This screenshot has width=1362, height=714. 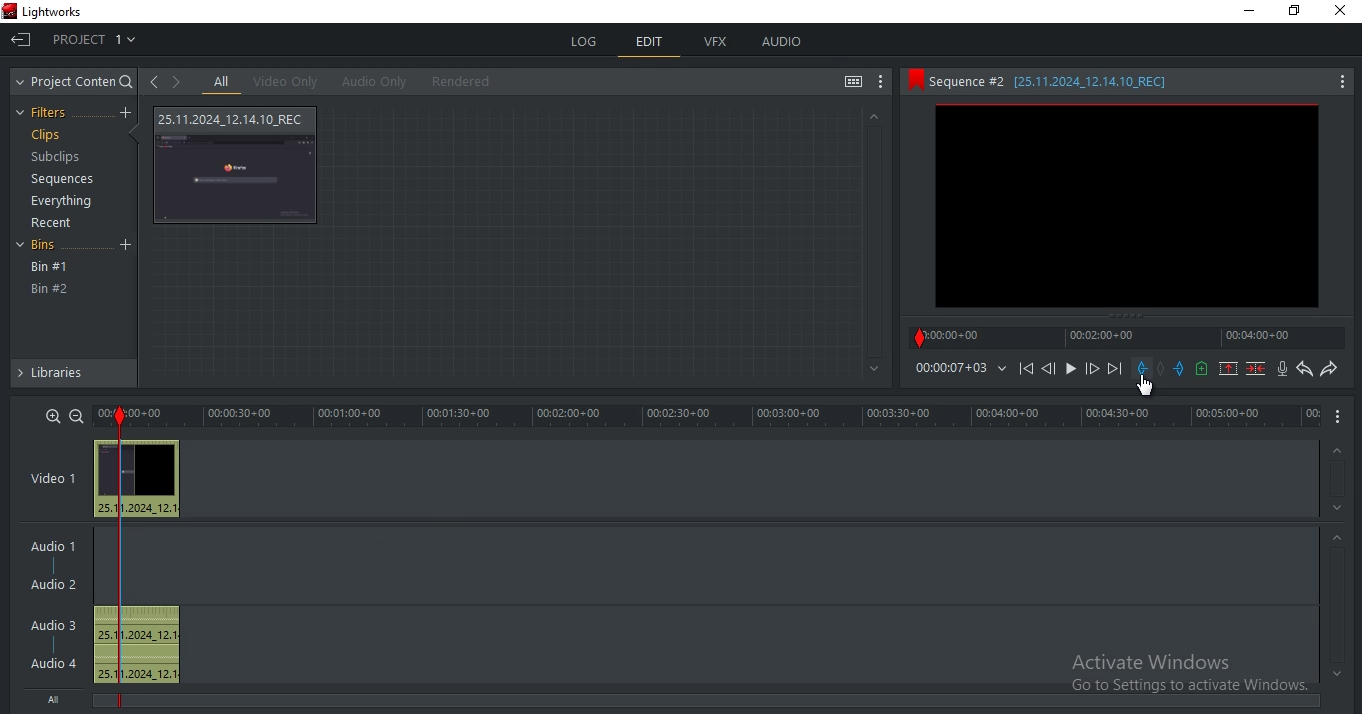 I want to click on redo, so click(x=1329, y=370).